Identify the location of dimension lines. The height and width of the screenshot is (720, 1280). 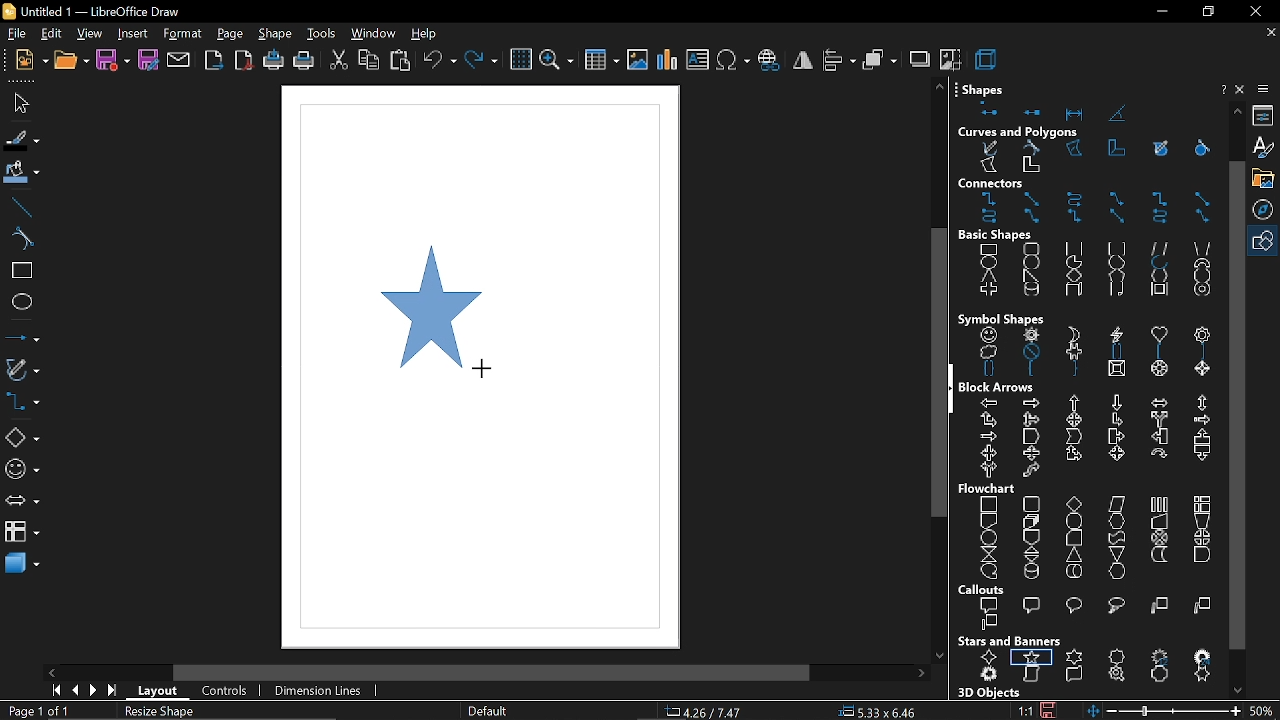
(315, 691).